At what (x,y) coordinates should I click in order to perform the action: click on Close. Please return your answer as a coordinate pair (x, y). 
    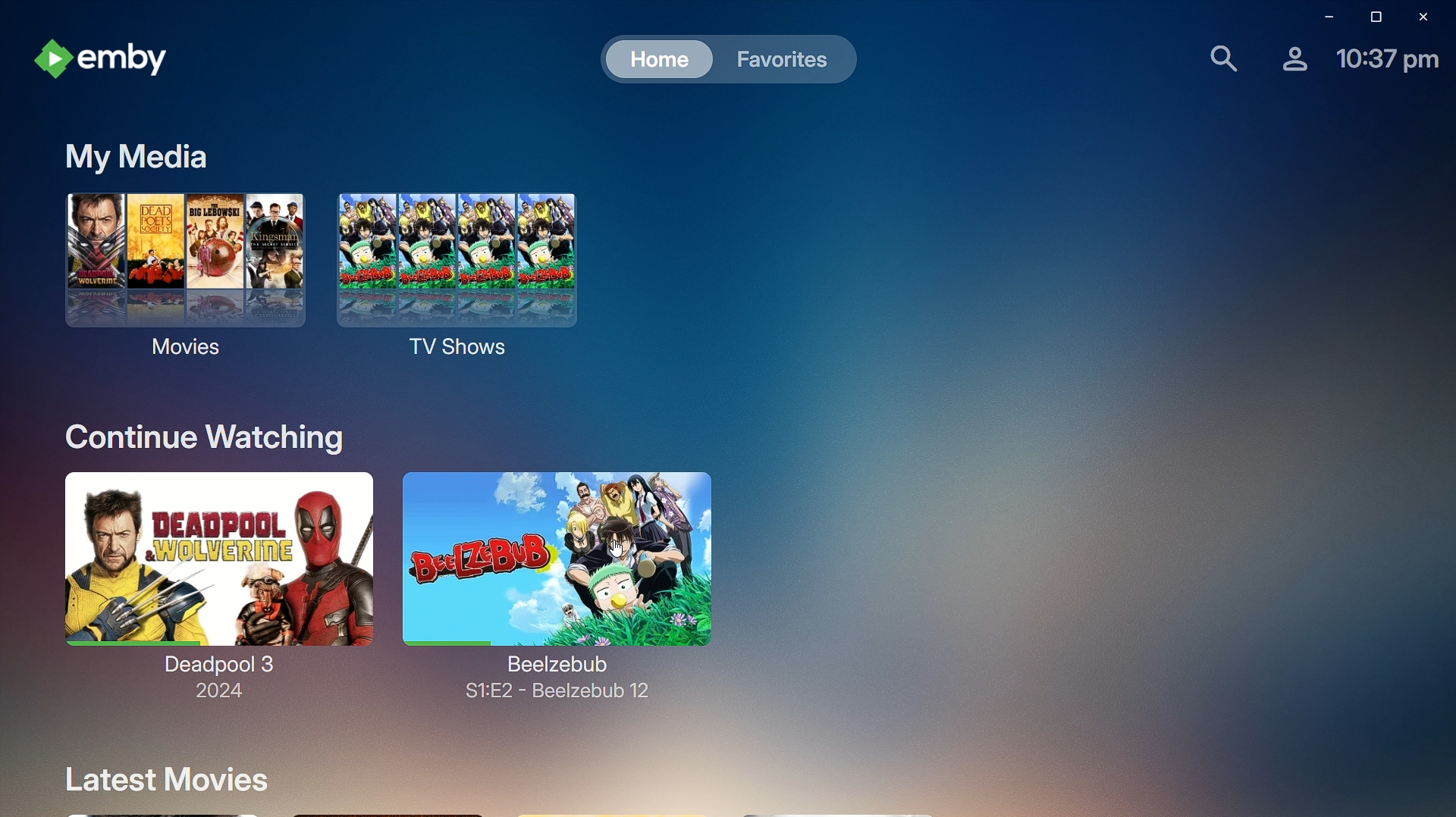
    Looking at the image, I should click on (1426, 17).